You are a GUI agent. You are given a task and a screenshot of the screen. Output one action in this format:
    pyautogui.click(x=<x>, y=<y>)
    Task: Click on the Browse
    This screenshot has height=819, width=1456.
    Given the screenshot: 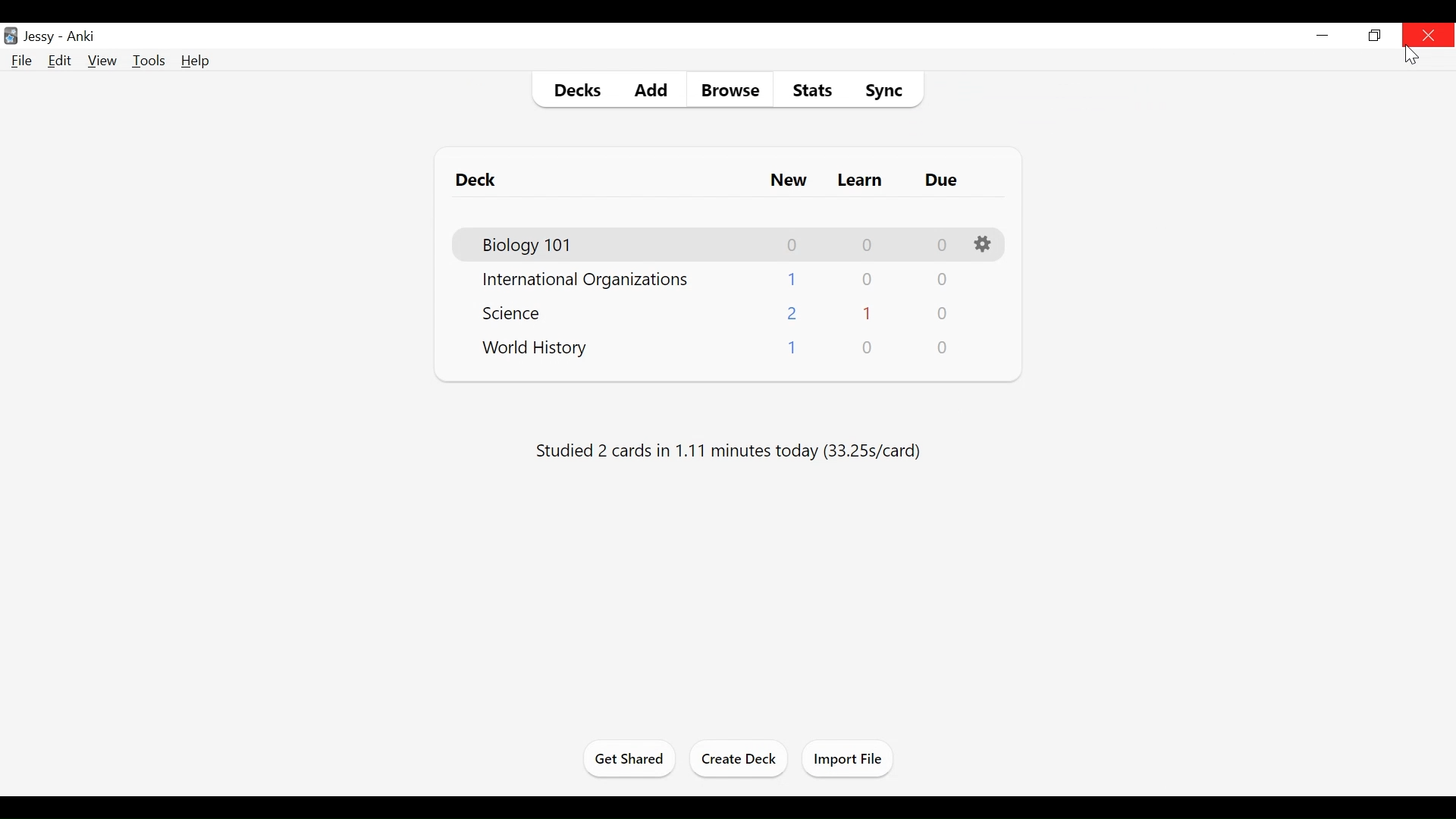 What is the action you would take?
    pyautogui.click(x=730, y=90)
    